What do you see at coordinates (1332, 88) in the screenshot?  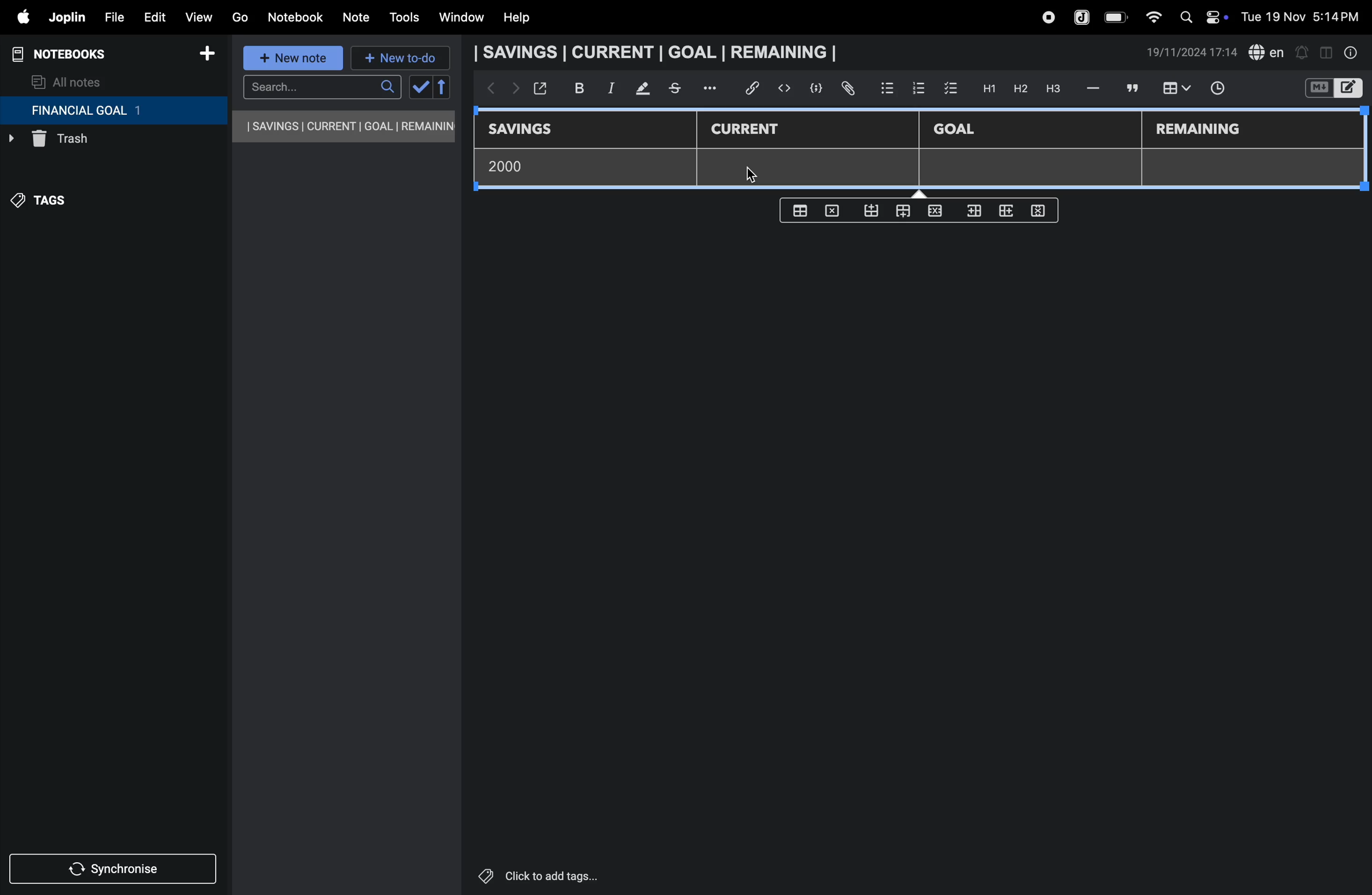 I see `switch editor` at bounding box center [1332, 88].